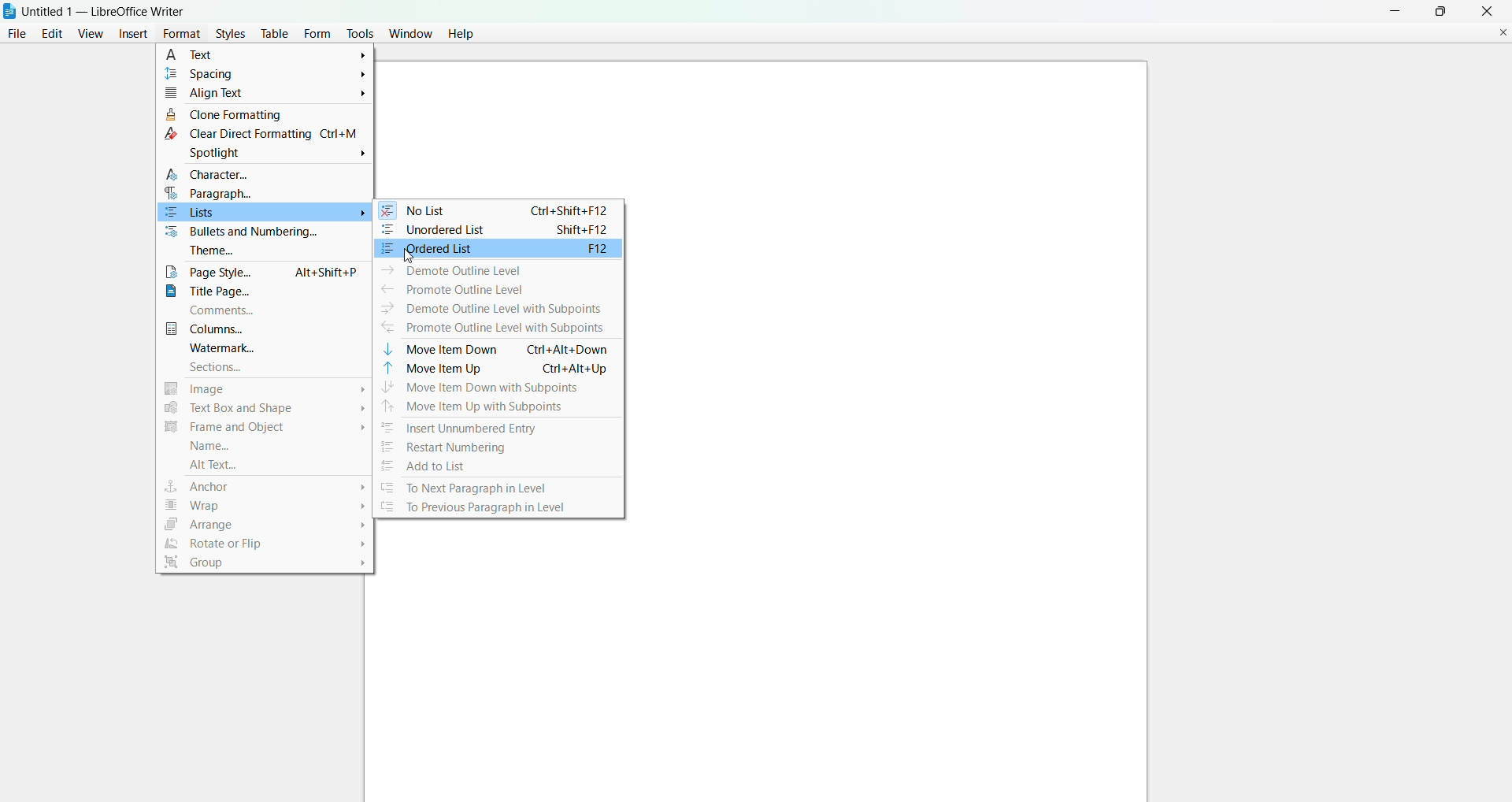 This screenshot has height=802, width=1512. Describe the element at coordinates (910, 432) in the screenshot. I see `canvas` at that location.